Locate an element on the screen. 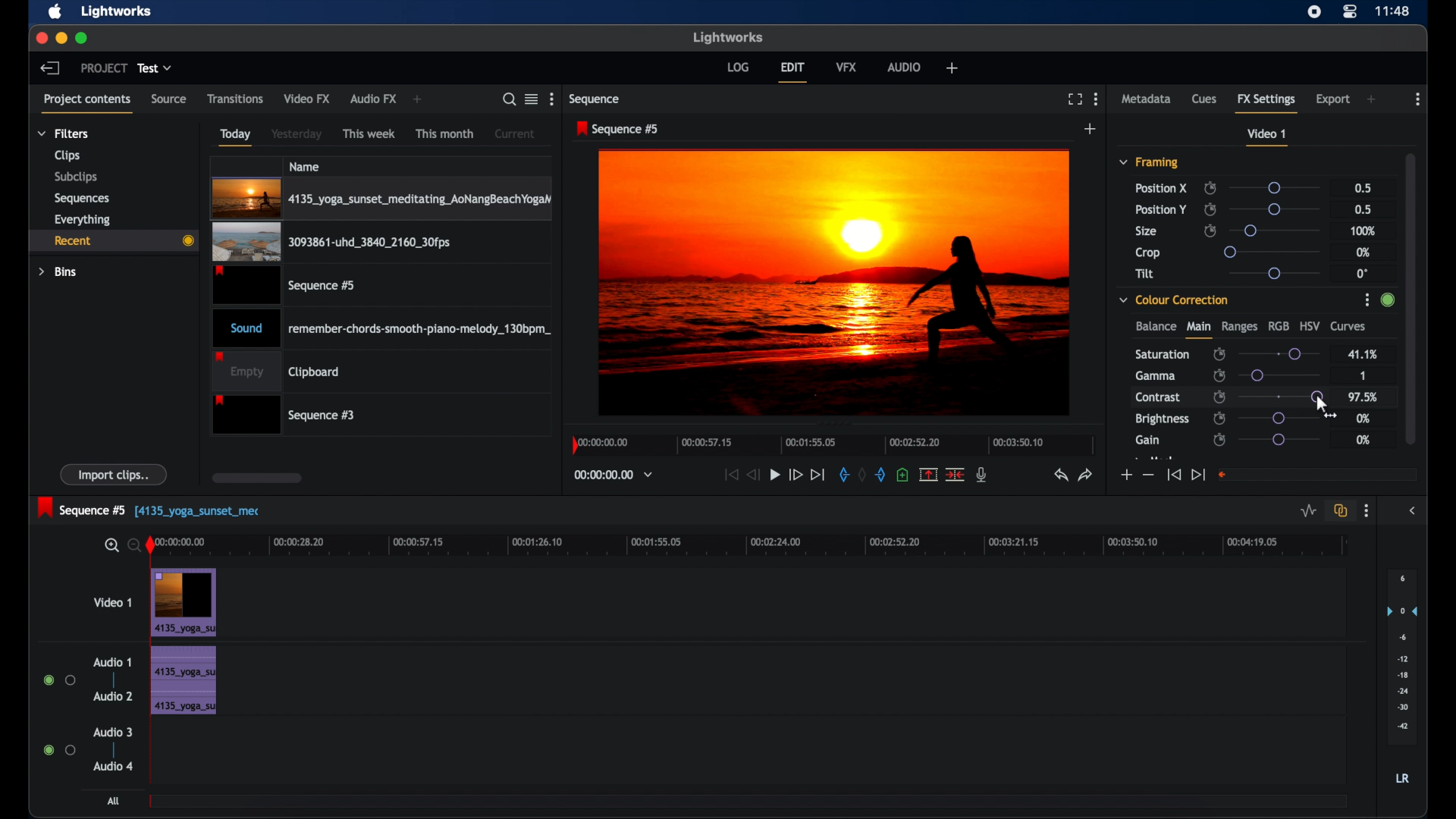  this week is located at coordinates (370, 133).